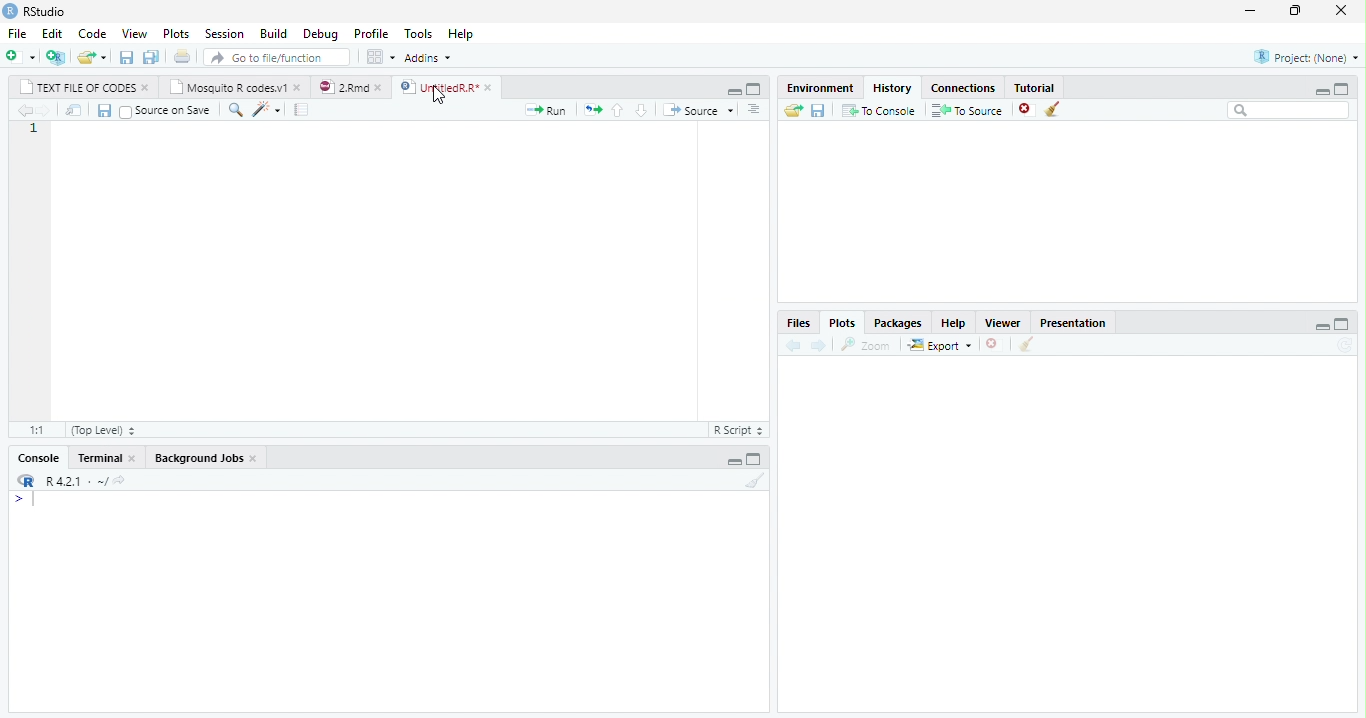  I want to click on top level, so click(101, 429).